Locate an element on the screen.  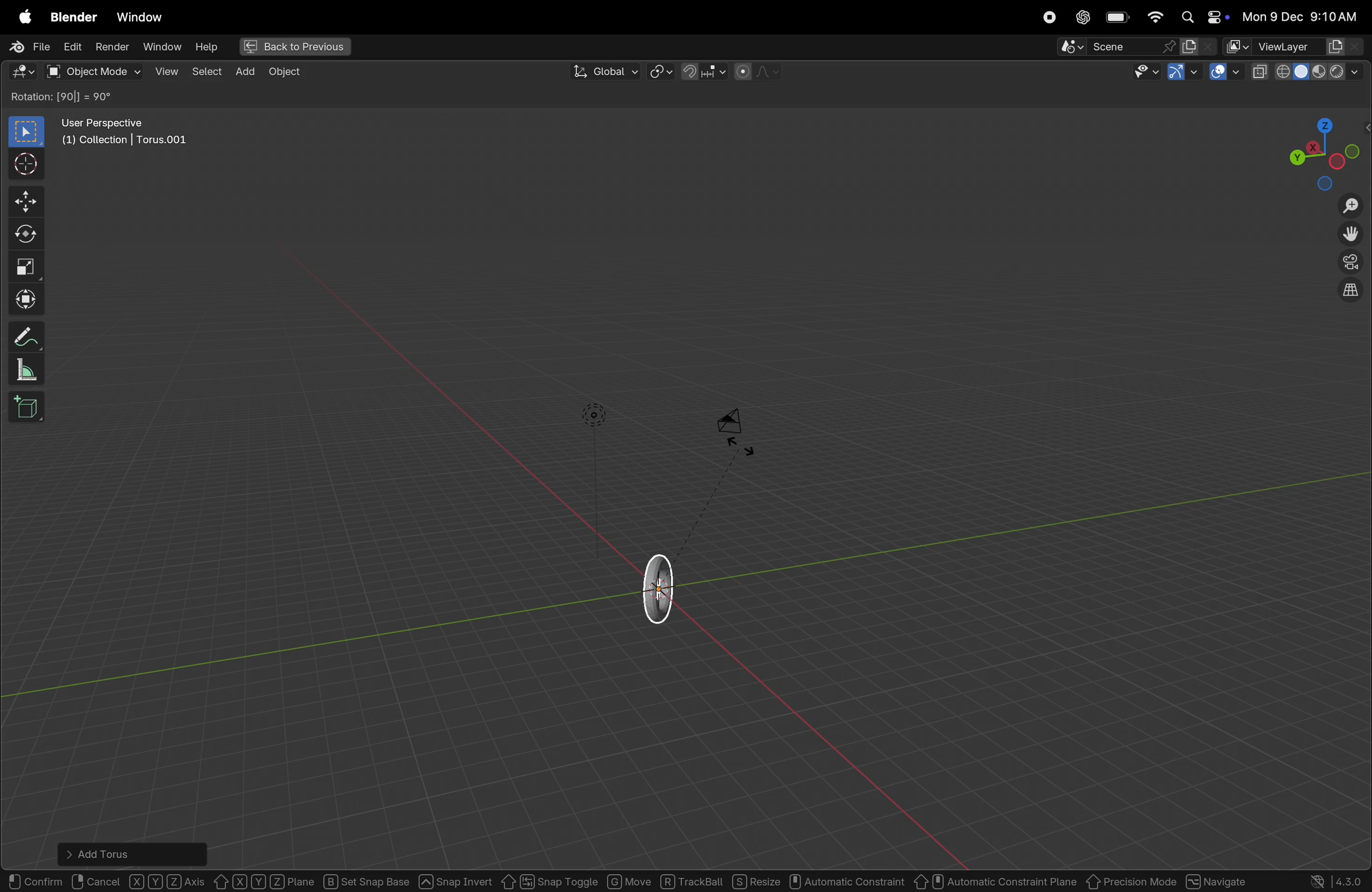
zoom in zoom out is located at coordinates (1354, 206).